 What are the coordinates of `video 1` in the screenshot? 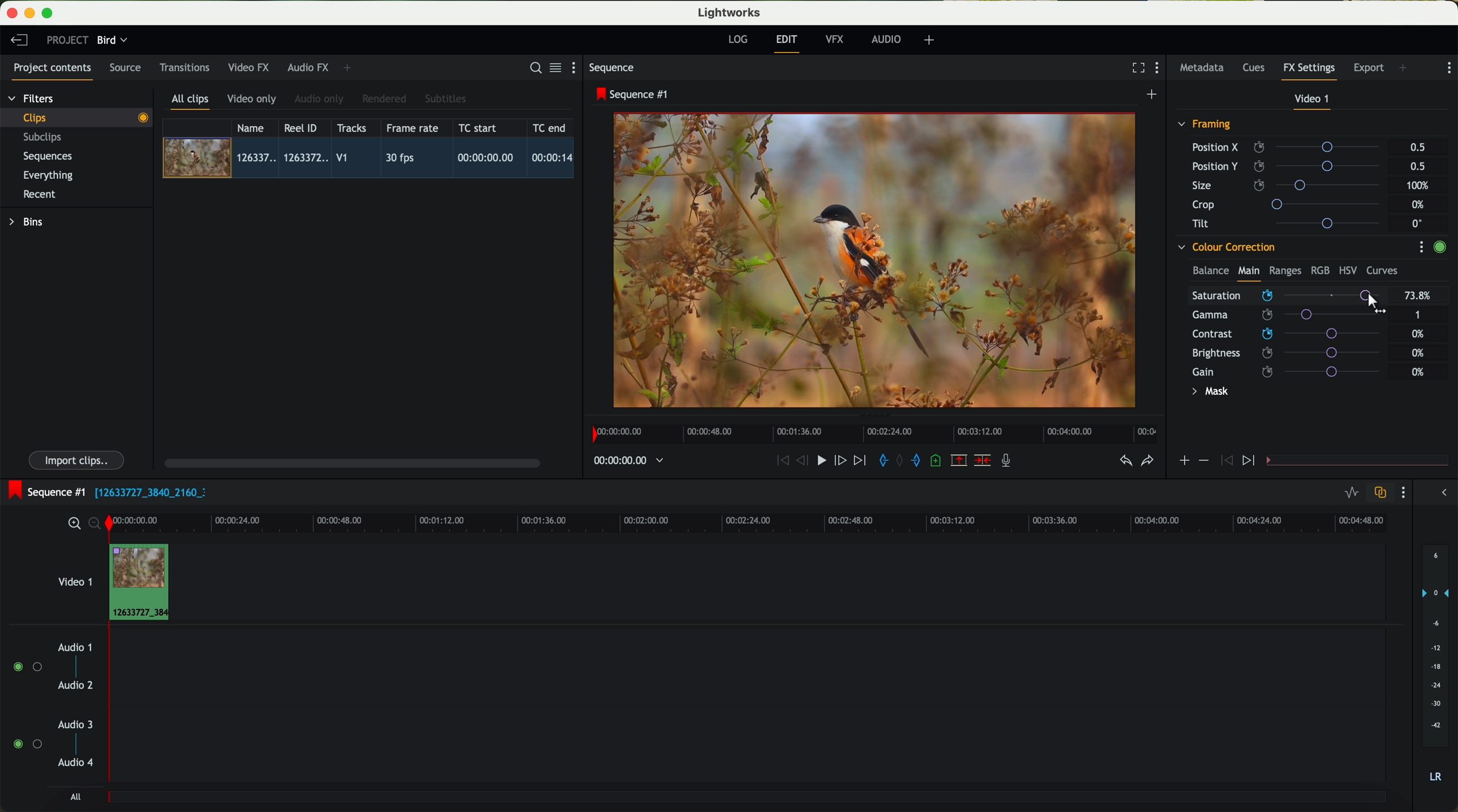 It's located at (1313, 101).